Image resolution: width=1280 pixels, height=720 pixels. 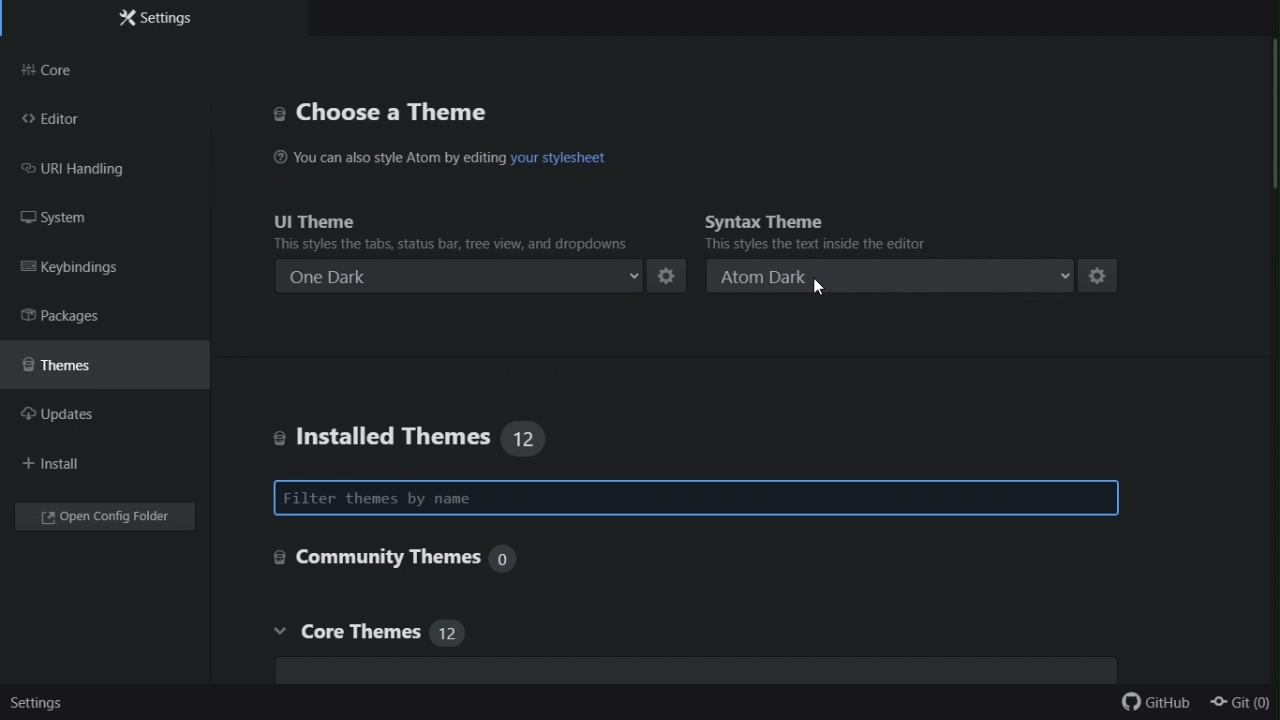 I want to click on git, so click(x=1242, y=703).